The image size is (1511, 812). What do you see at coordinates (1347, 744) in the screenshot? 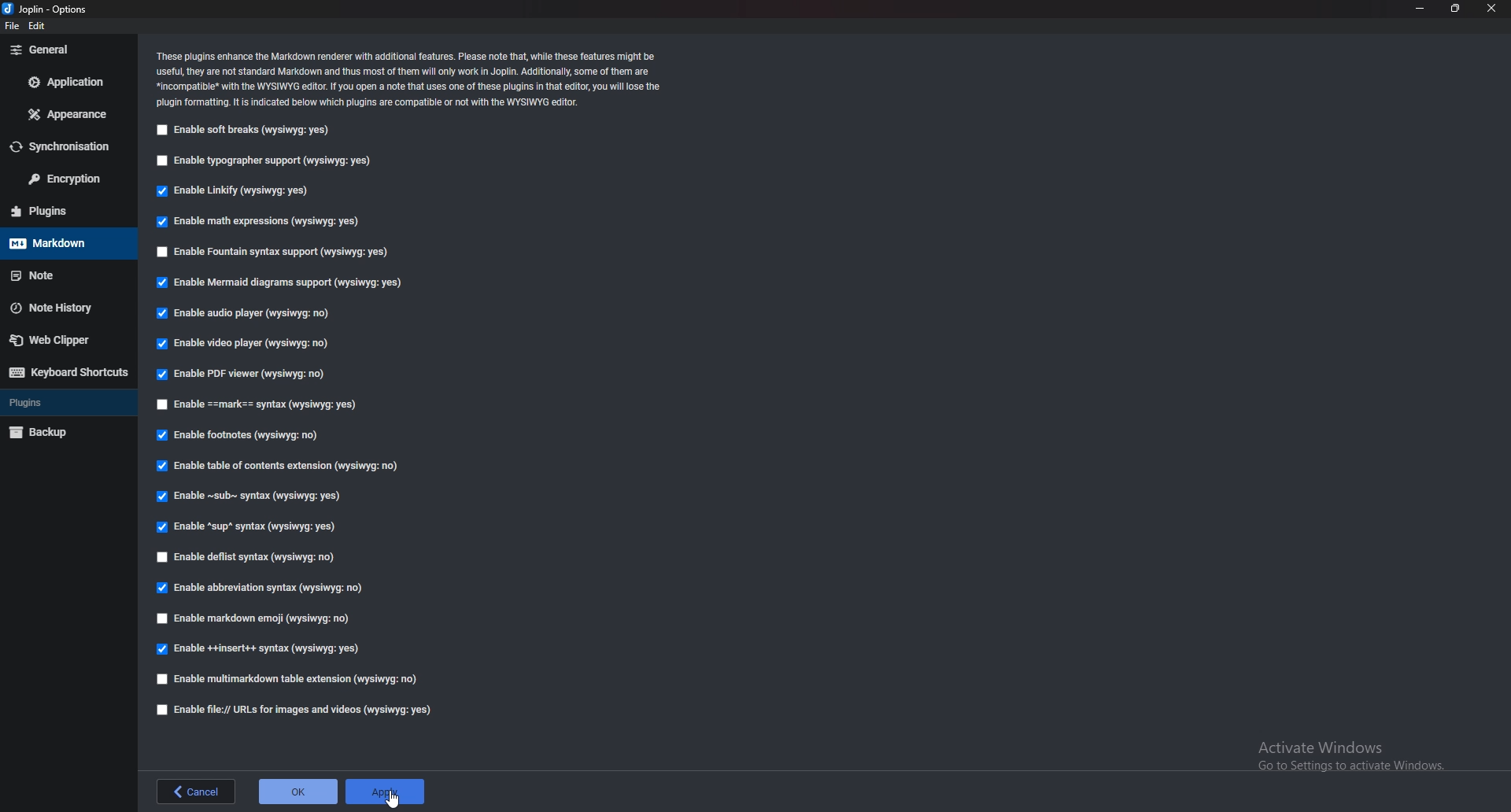
I see `Activate Windows
Go to Settings to activate Windows.` at bounding box center [1347, 744].